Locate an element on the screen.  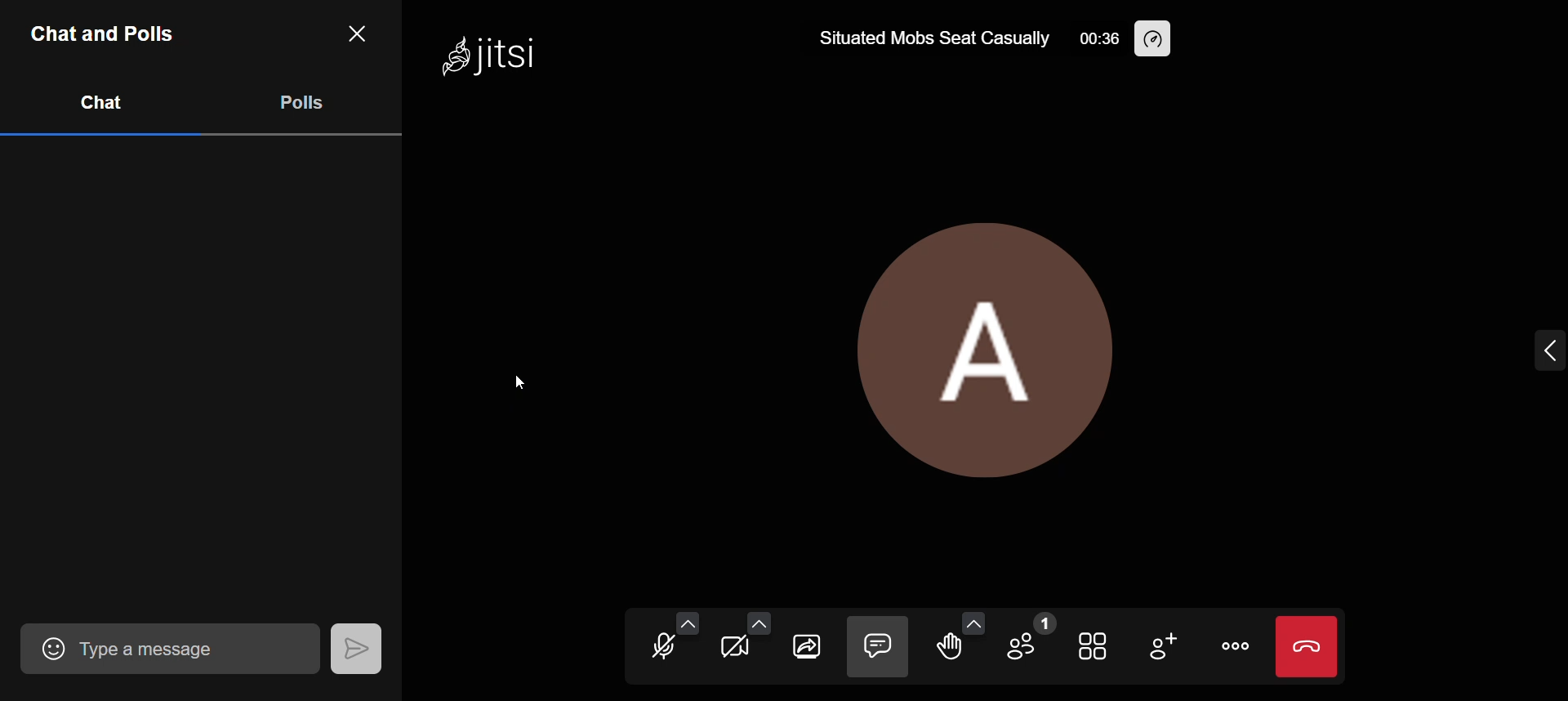
cursor is located at coordinates (527, 378).